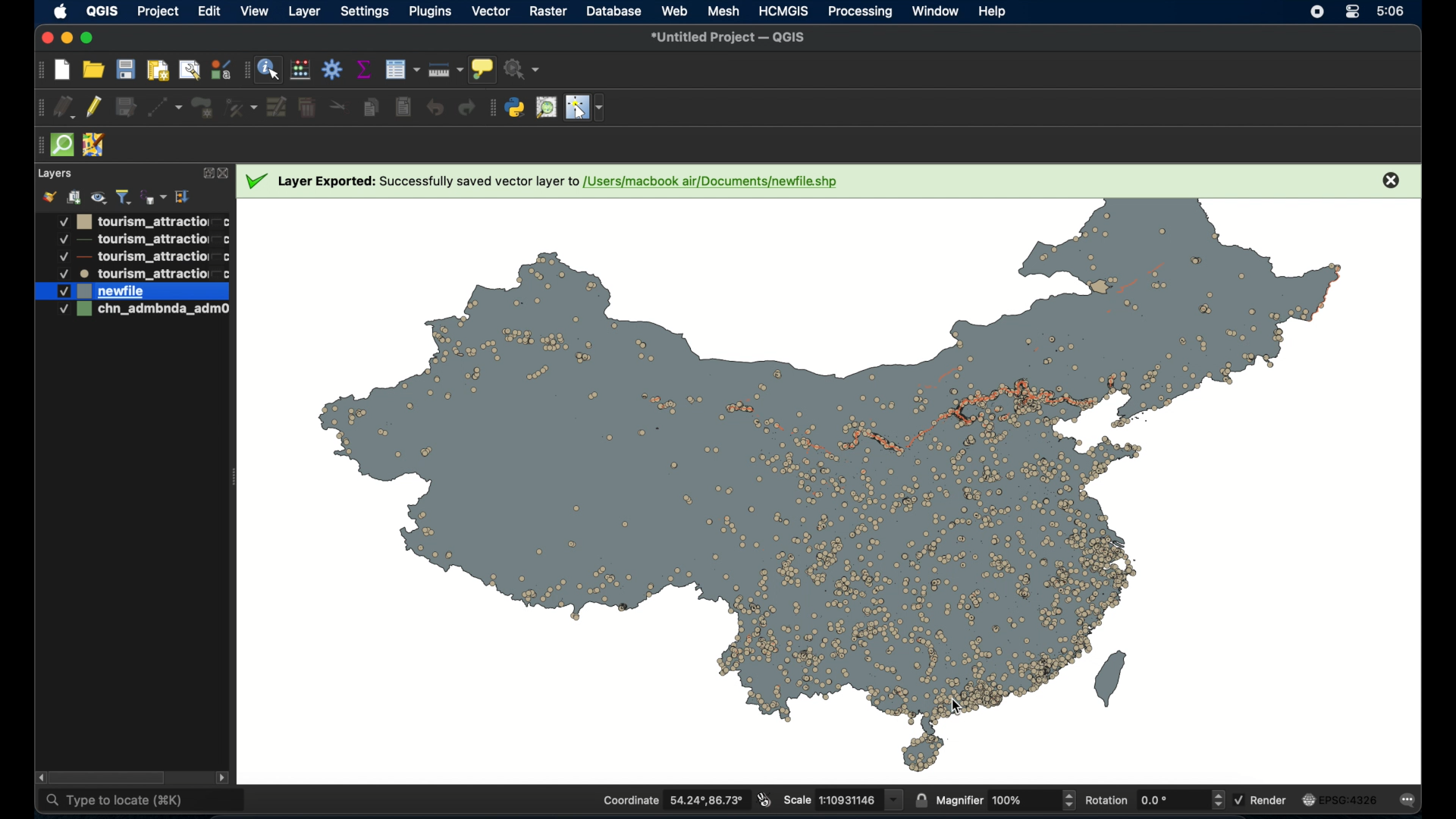  Describe the element at coordinates (222, 777) in the screenshot. I see `scroll right arrow` at that location.